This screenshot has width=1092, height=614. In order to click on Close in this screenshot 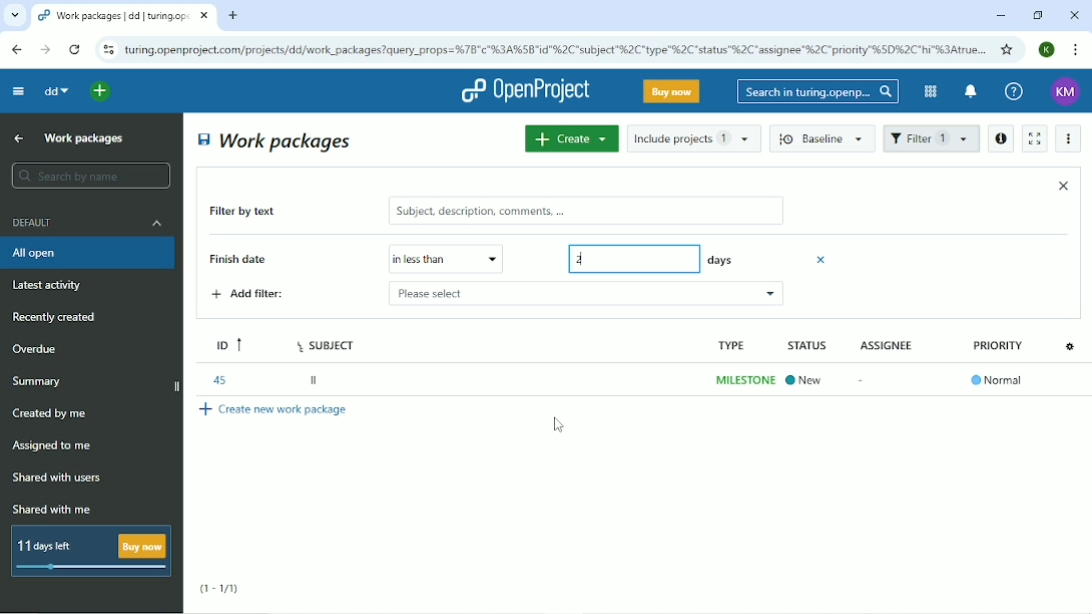, I will do `click(823, 259)`.